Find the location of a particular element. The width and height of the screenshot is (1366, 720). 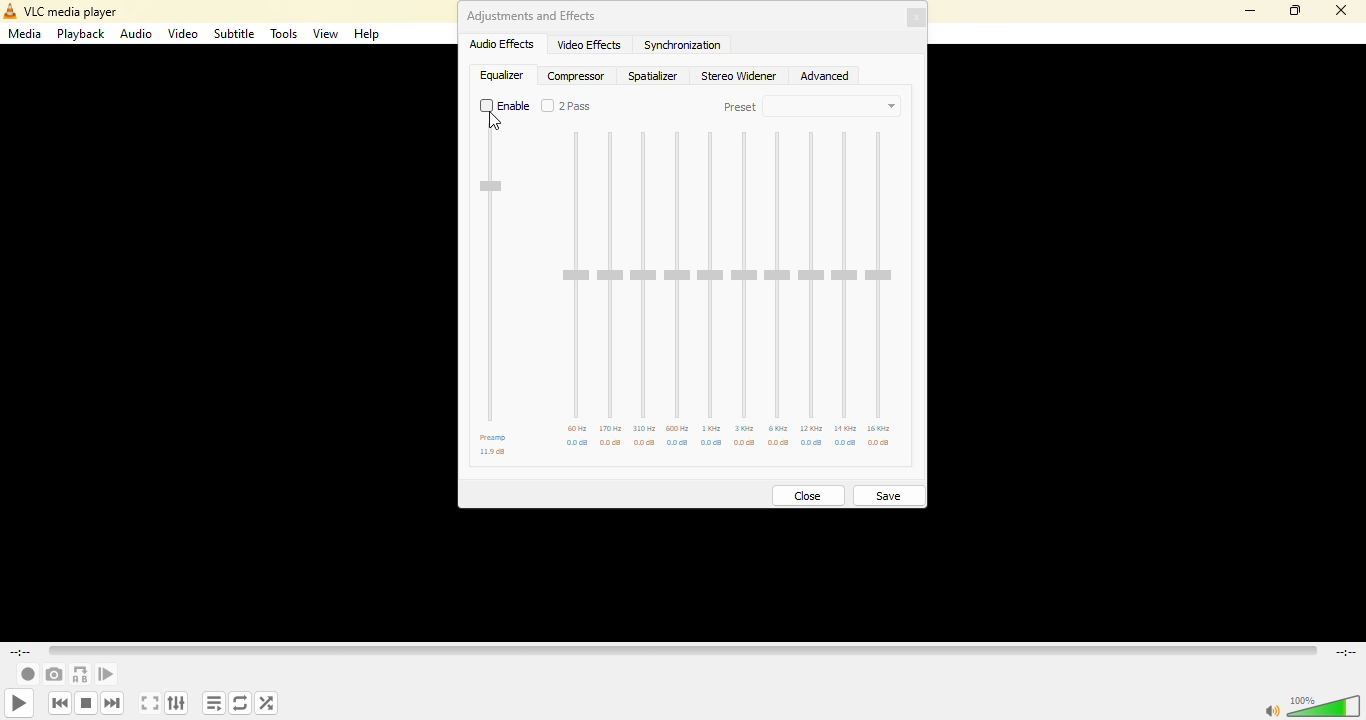

preamp is located at coordinates (493, 438).